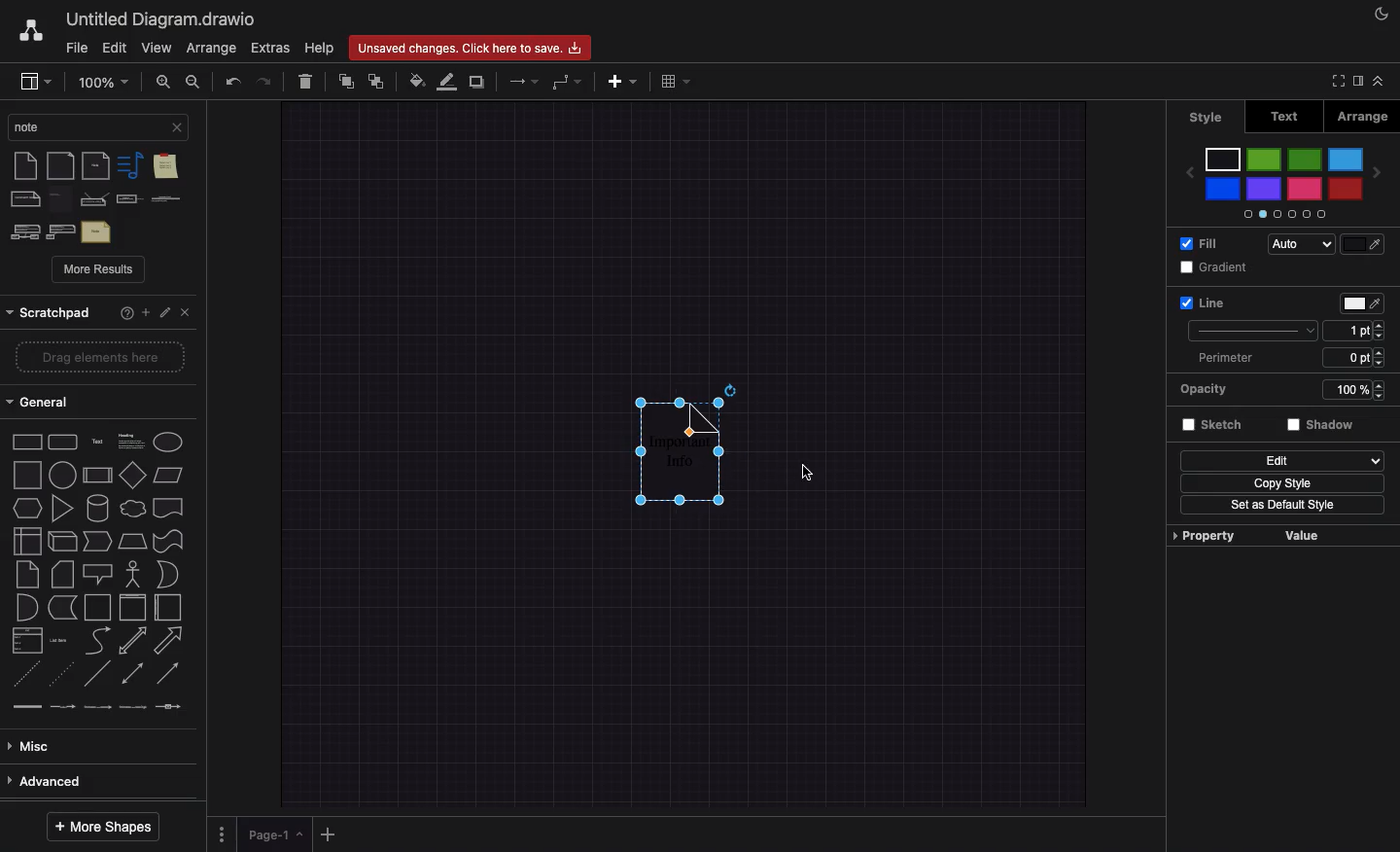  I want to click on Page 1, so click(274, 834).